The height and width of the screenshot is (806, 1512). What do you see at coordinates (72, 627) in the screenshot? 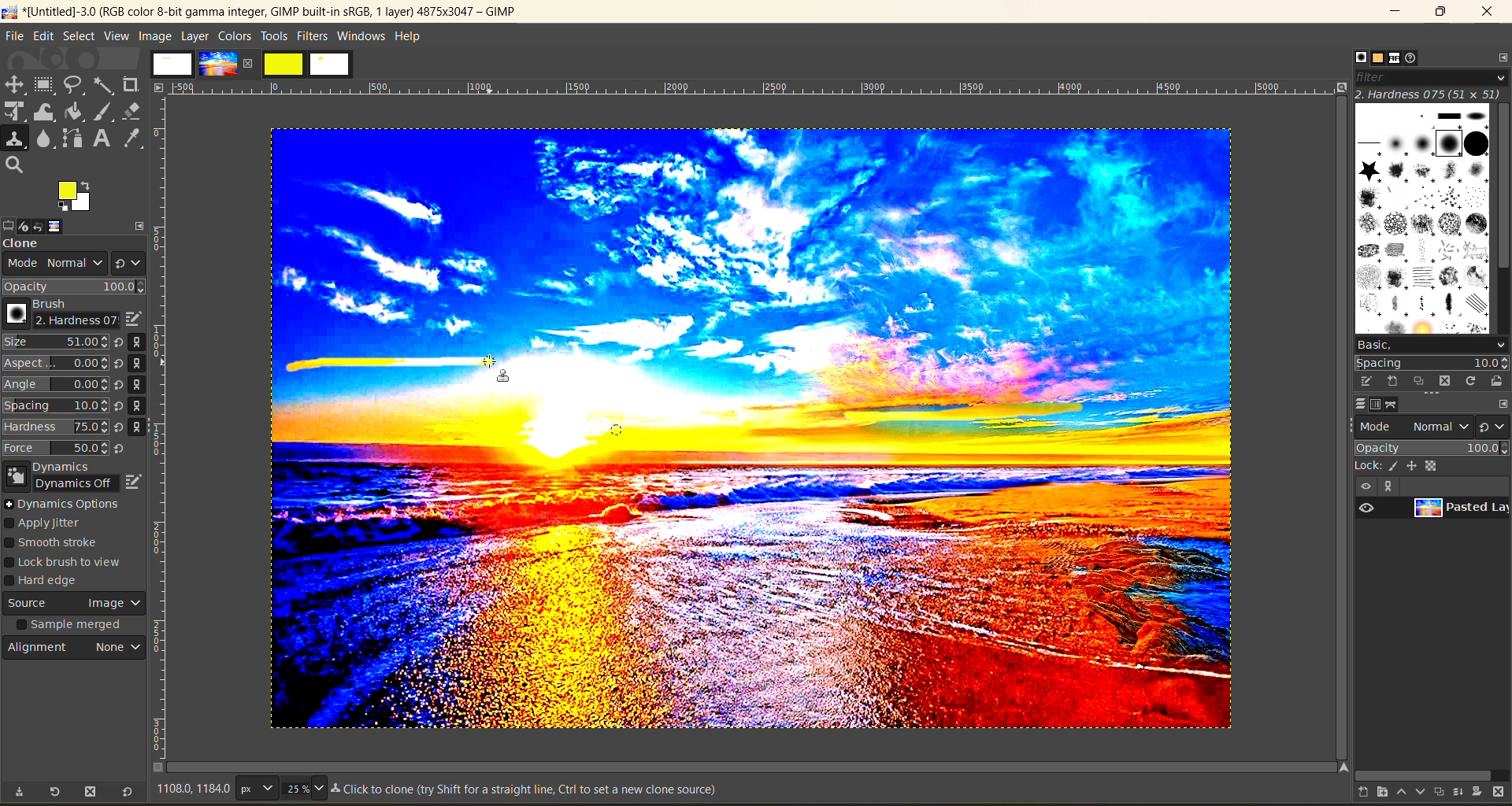
I see `sample merged` at bounding box center [72, 627].